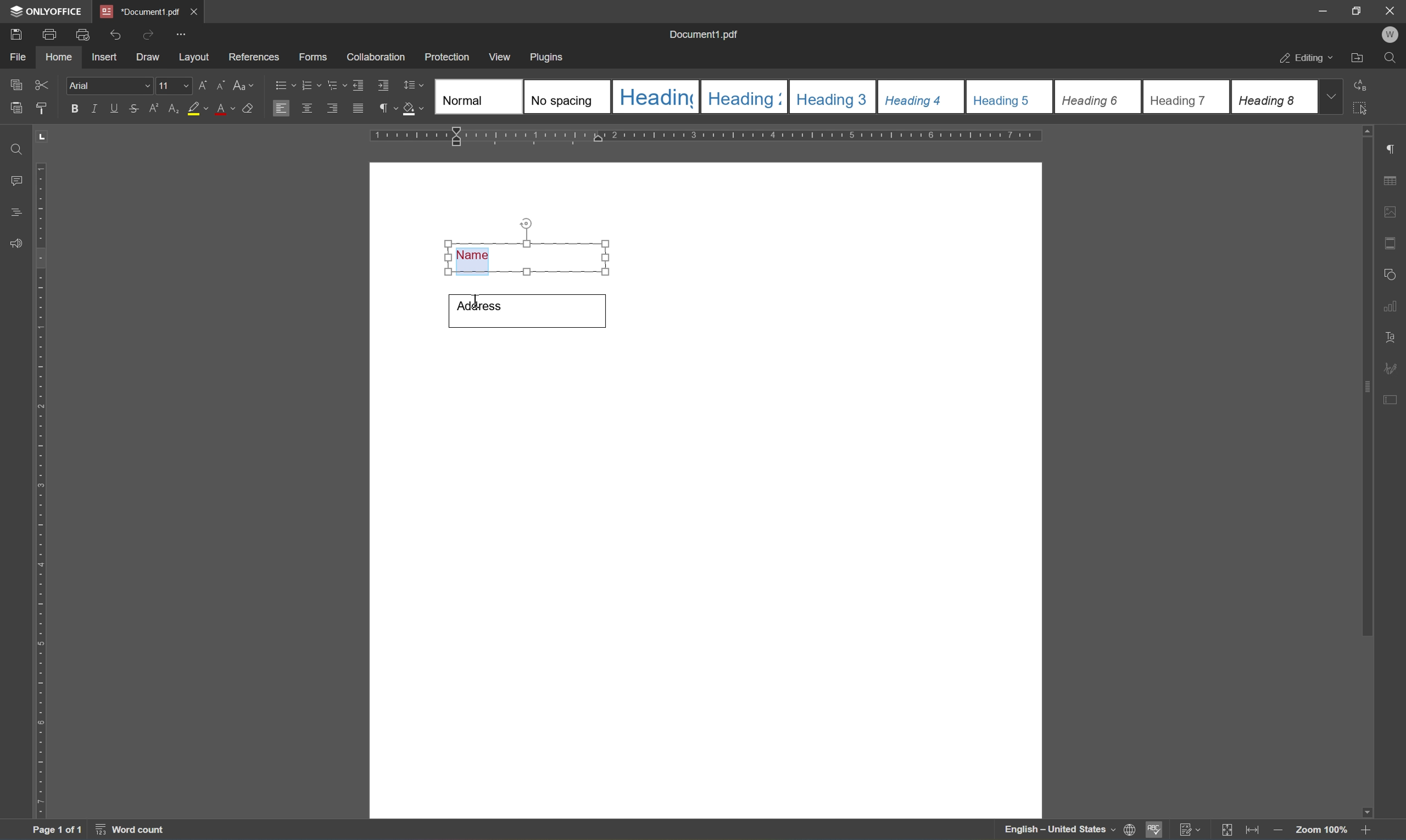  Describe the element at coordinates (1391, 11) in the screenshot. I see `close` at that location.